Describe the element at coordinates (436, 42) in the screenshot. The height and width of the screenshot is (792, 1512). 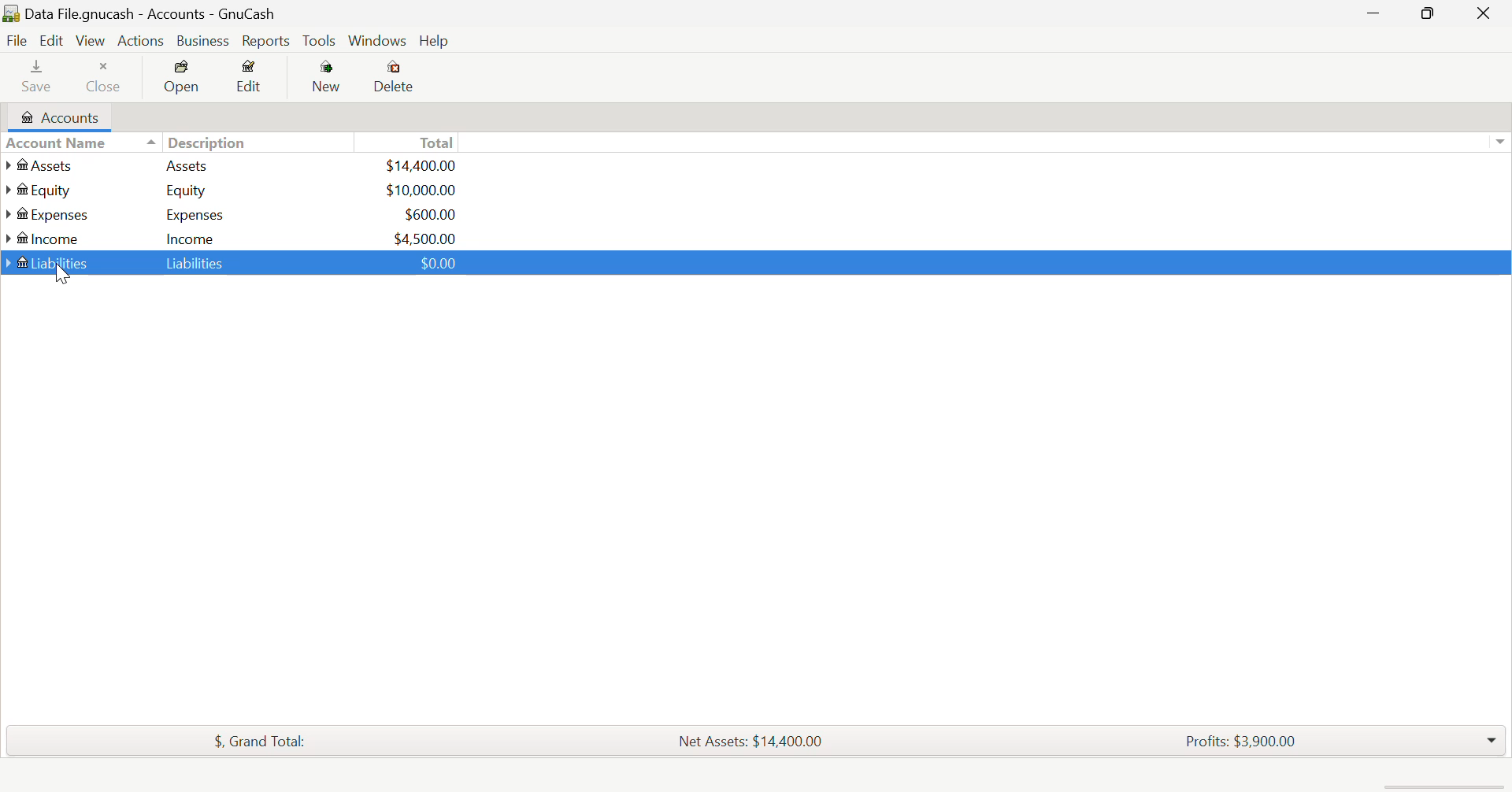
I see `Help` at that location.